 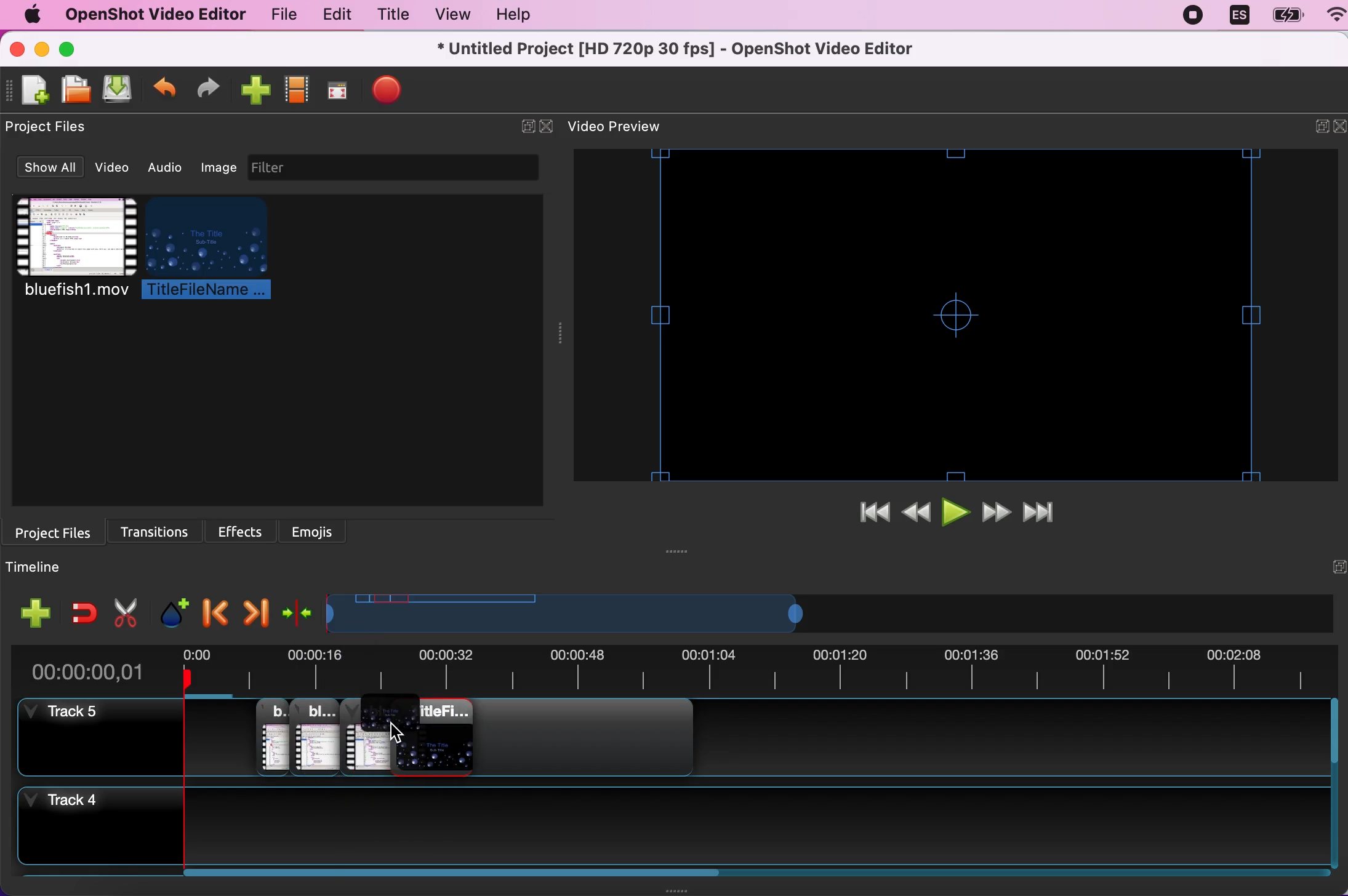 What do you see at coordinates (37, 613) in the screenshot?
I see `add track` at bounding box center [37, 613].